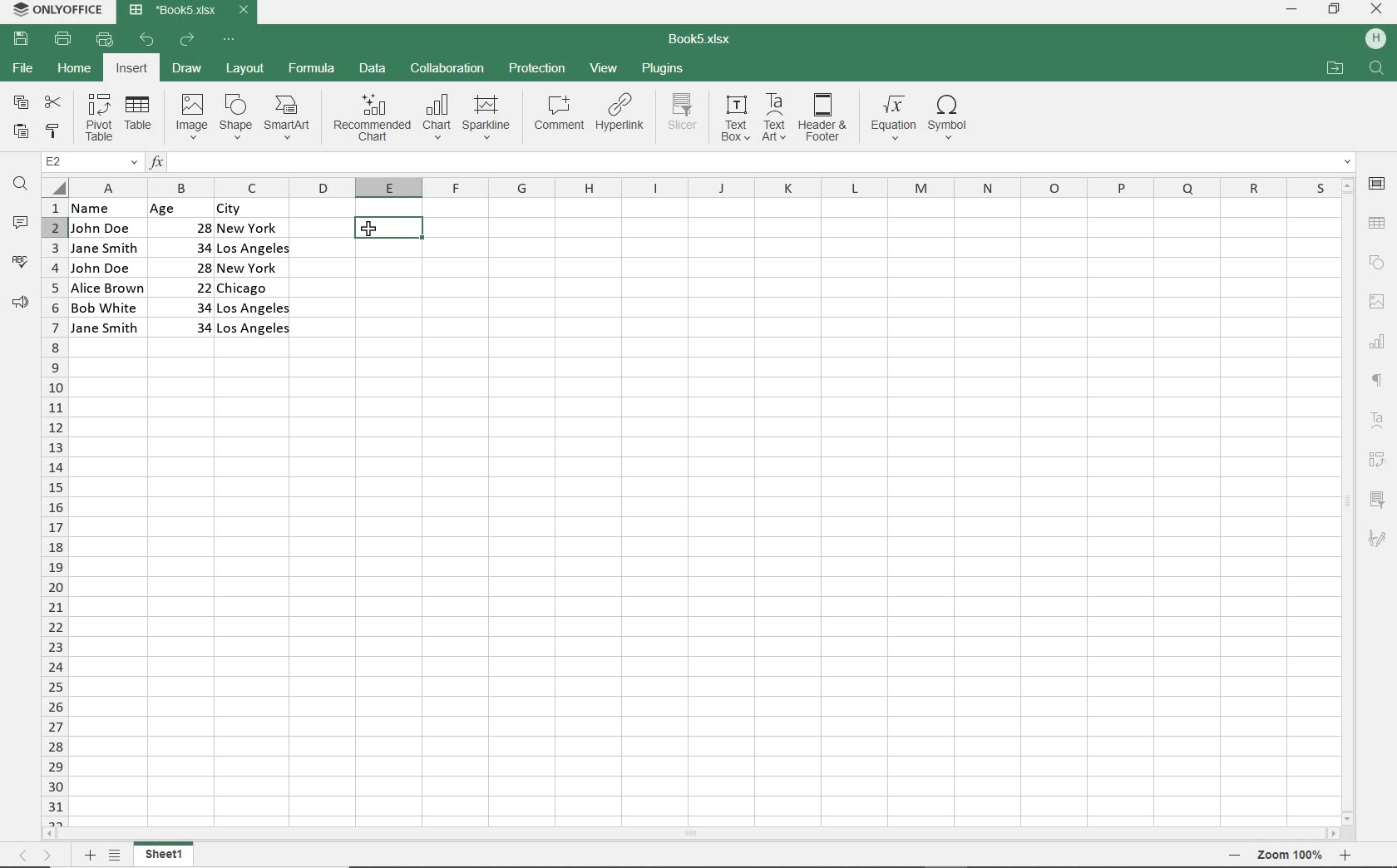  What do you see at coordinates (245, 69) in the screenshot?
I see `LAYOUT` at bounding box center [245, 69].